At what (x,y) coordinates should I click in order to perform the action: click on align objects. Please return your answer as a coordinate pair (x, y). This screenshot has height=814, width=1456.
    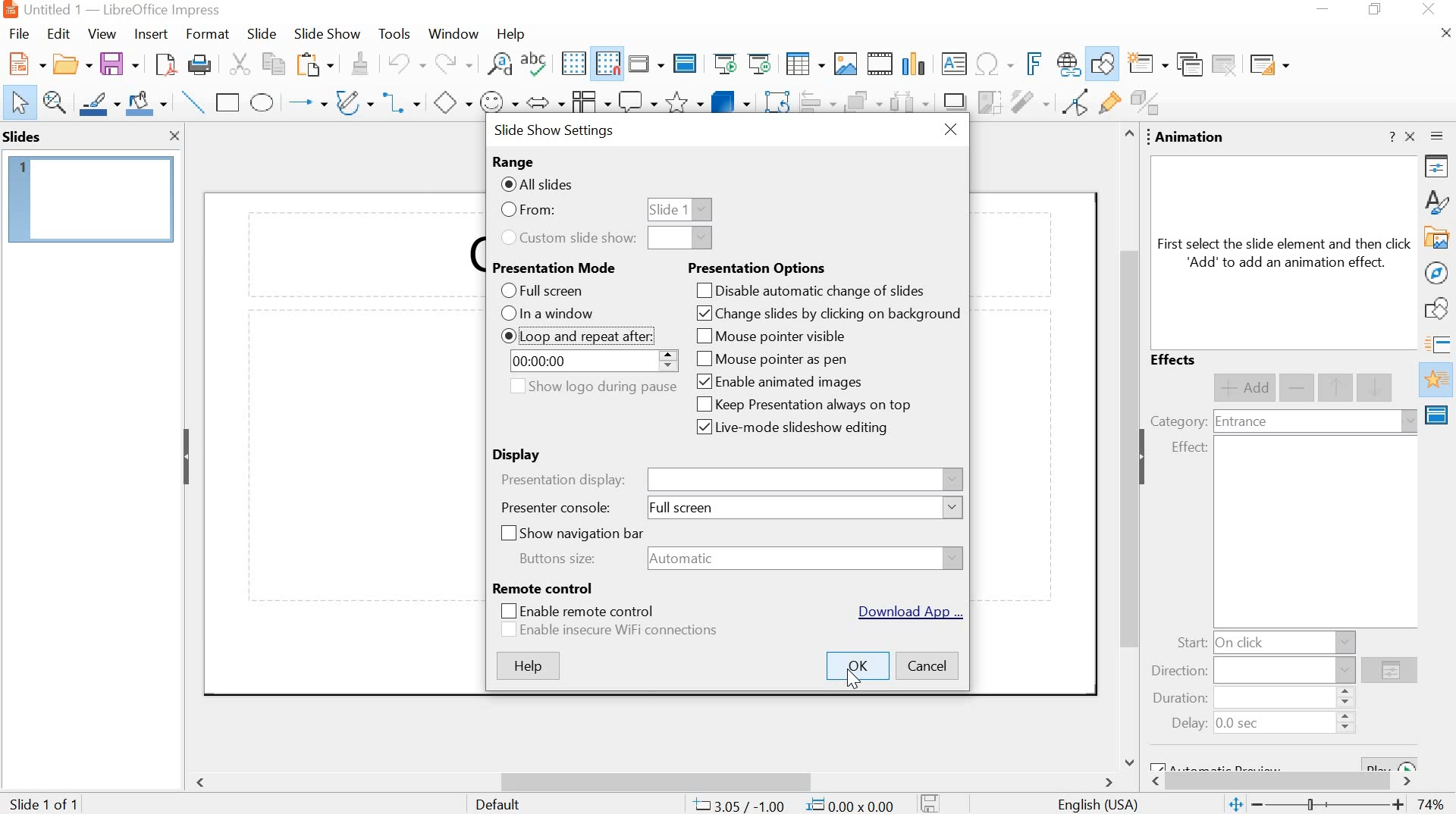
    Looking at the image, I should click on (817, 104).